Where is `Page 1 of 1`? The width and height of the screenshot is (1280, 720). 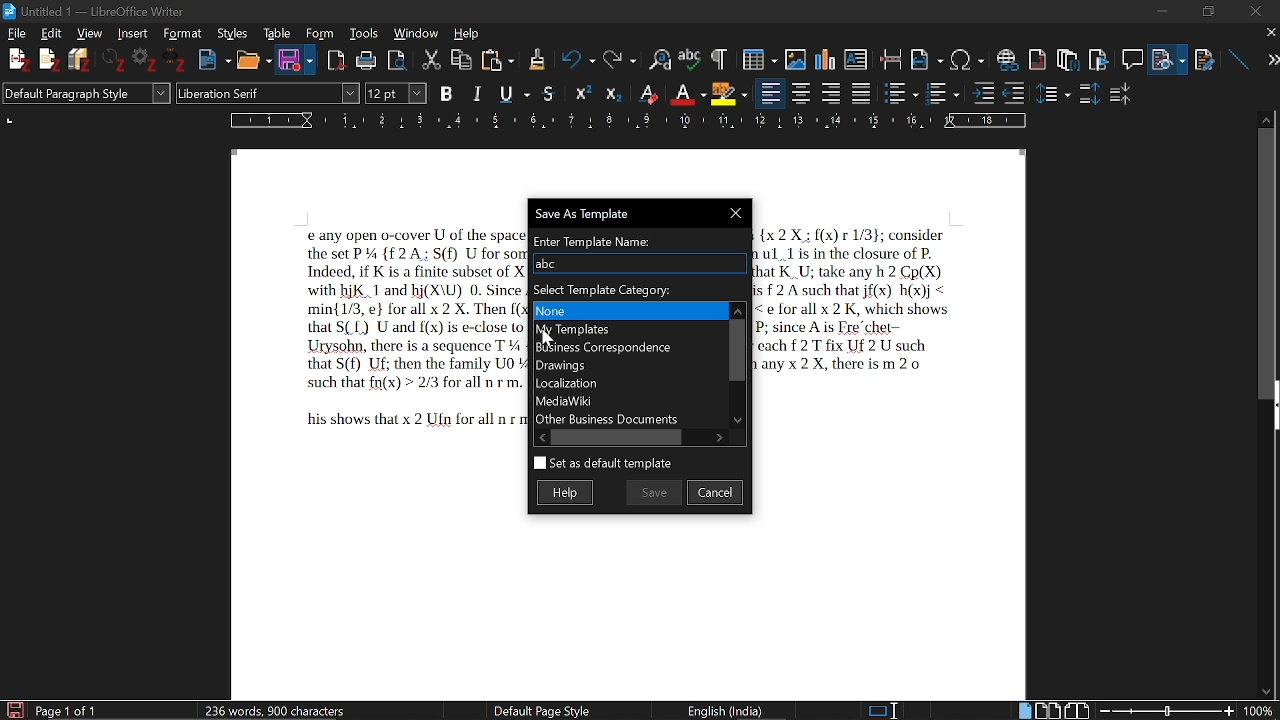
Page 1 of 1 is located at coordinates (74, 710).